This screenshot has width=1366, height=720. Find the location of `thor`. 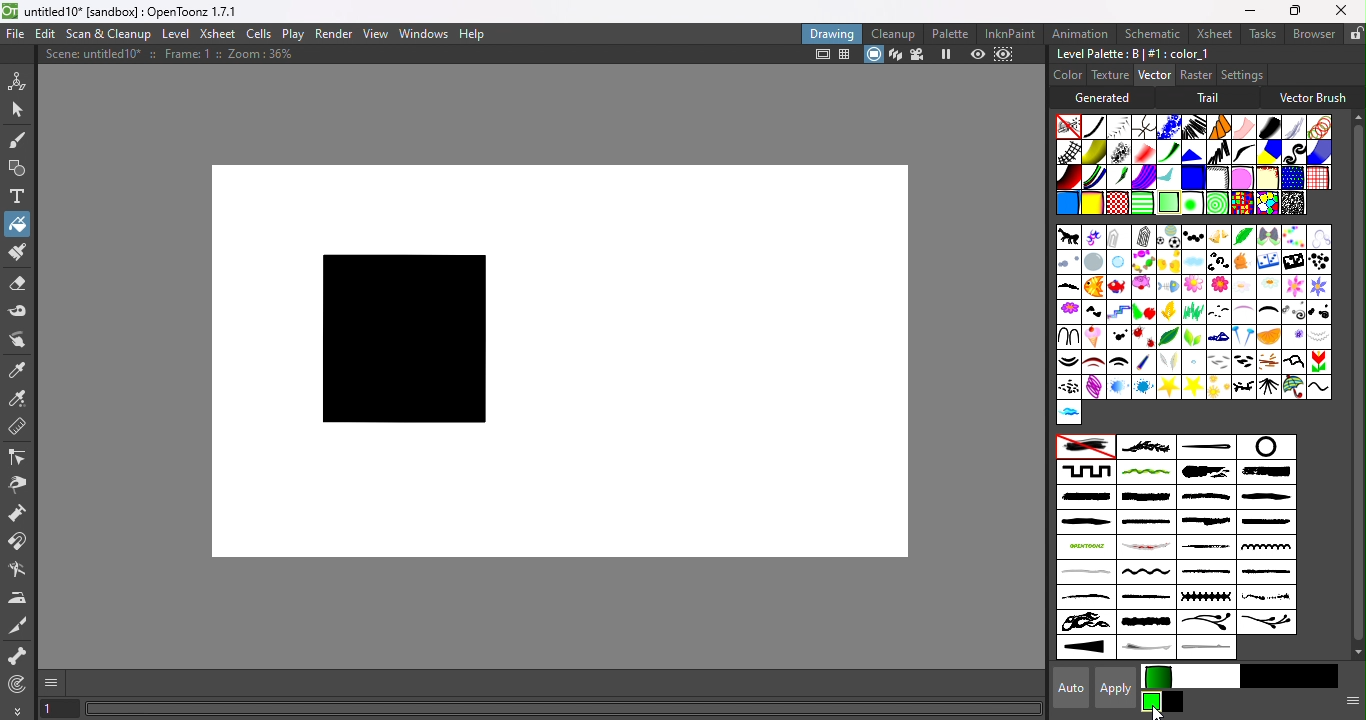

thor is located at coordinates (1242, 387).